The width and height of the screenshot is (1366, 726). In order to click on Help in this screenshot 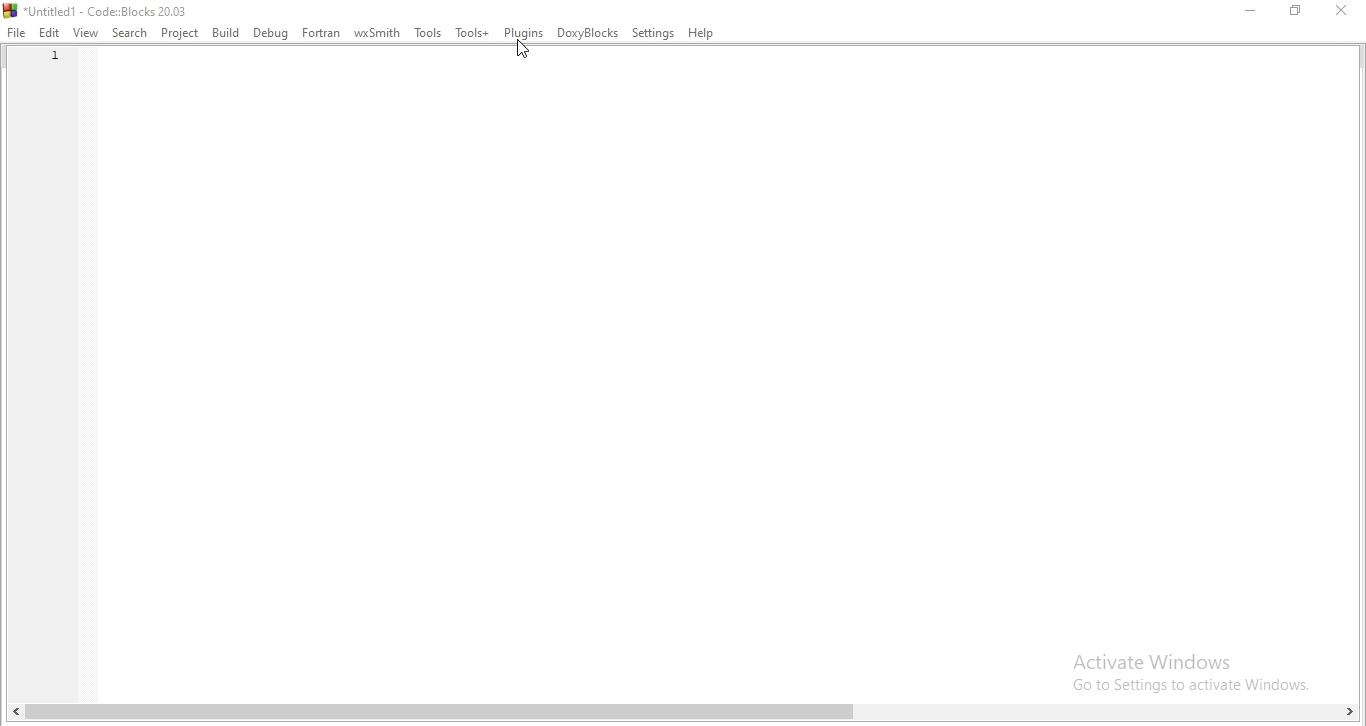, I will do `click(702, 32)`.